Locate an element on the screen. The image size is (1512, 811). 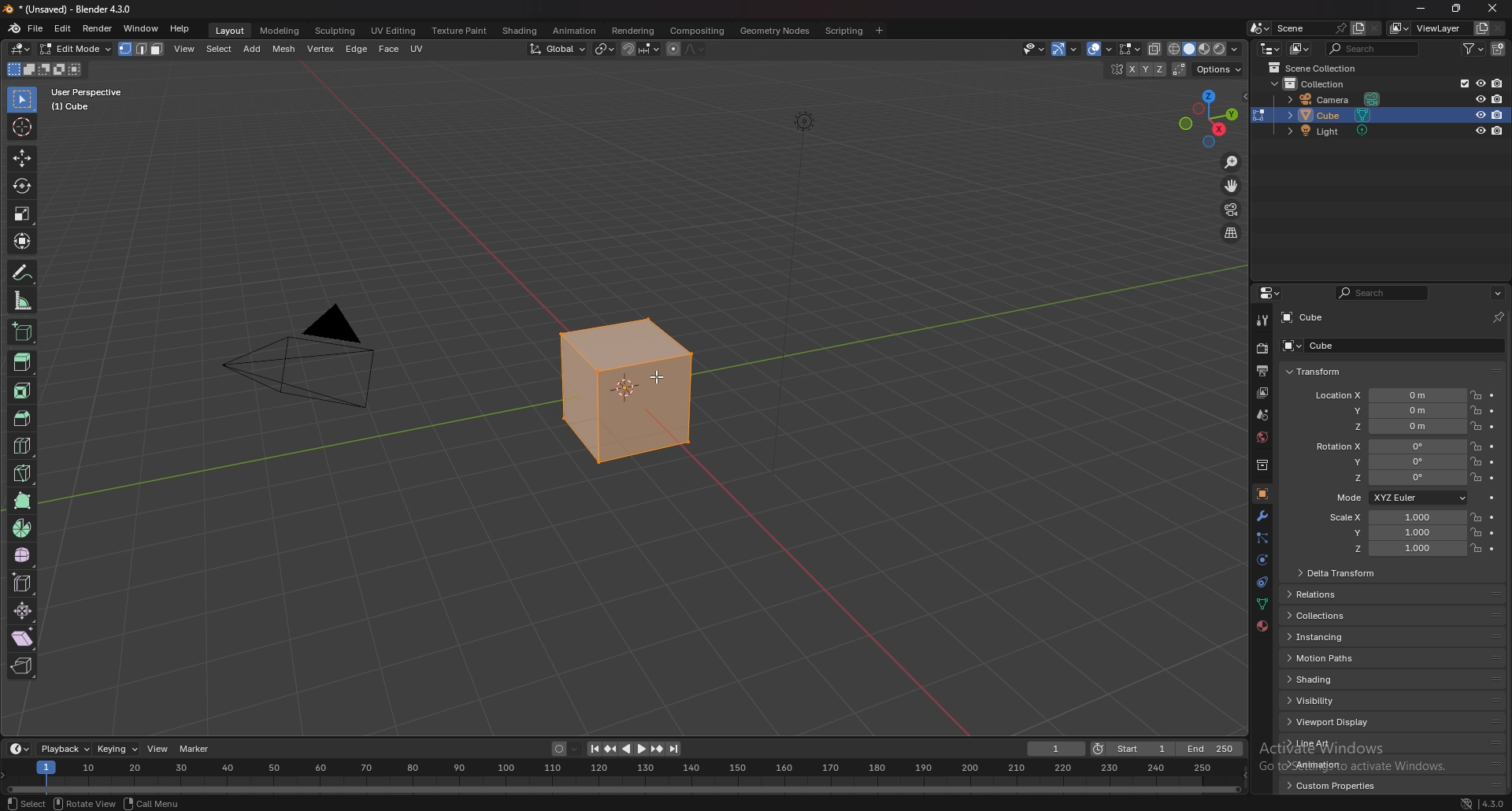
hide in viewport is located at coordinates (1480, 83).